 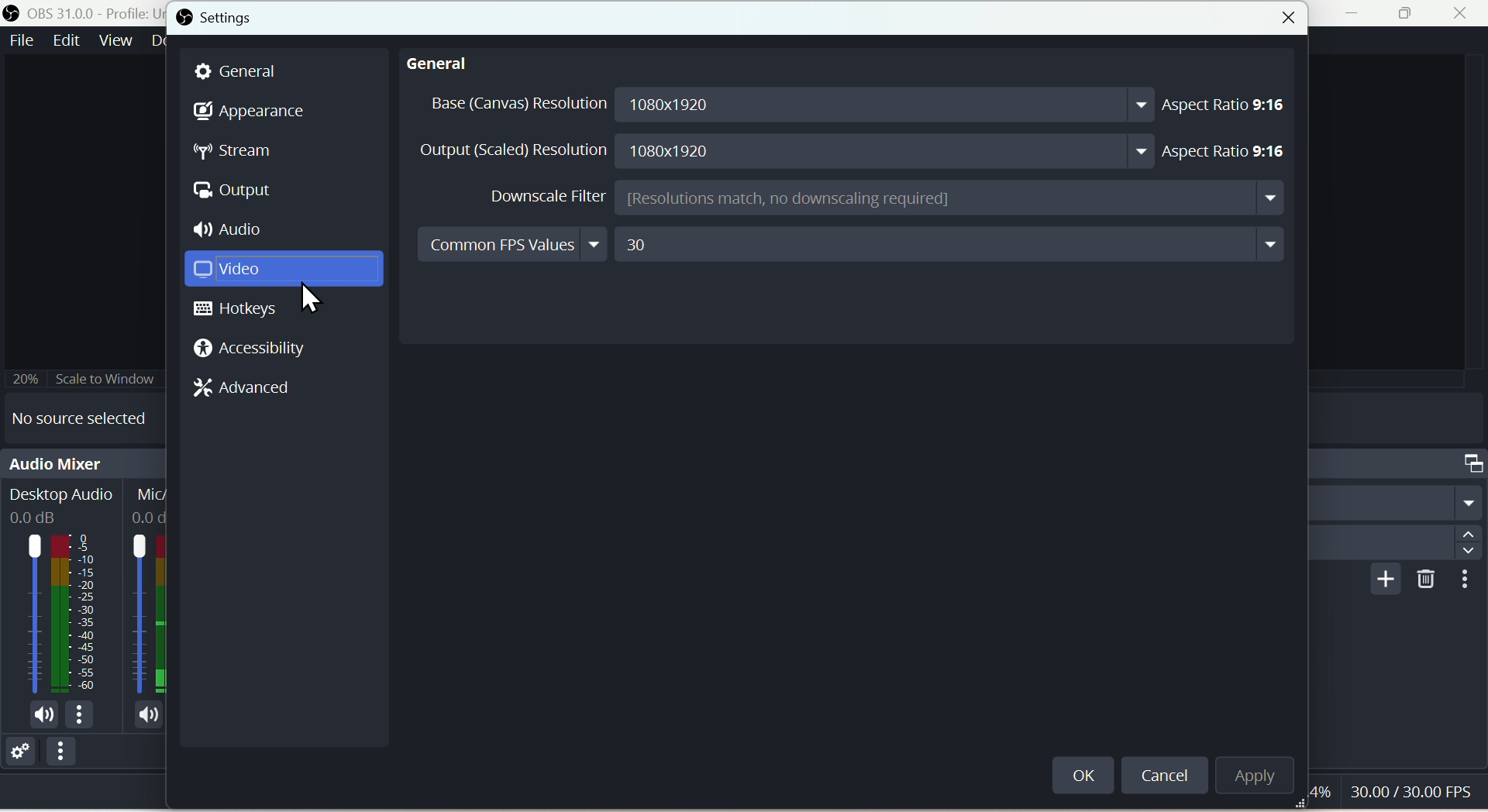 I want to click on , so click(x=283, y=271).